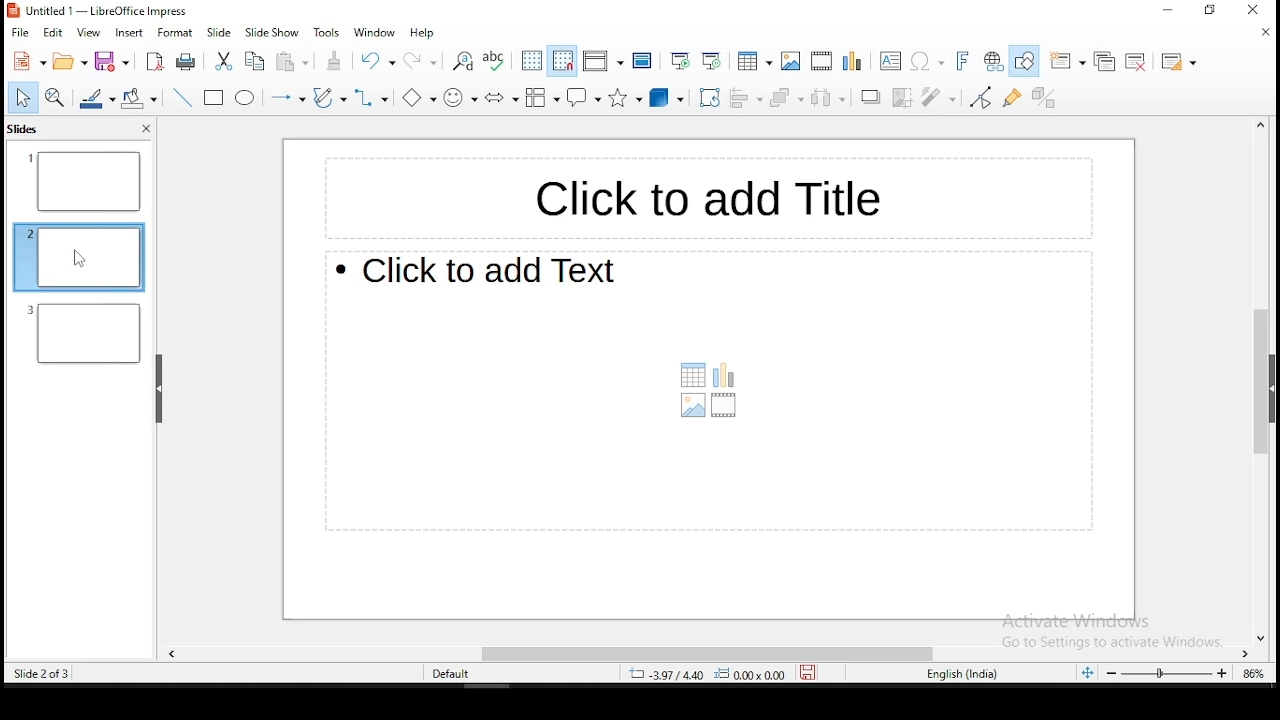  I want to click on ellipse, so click(245, 100).